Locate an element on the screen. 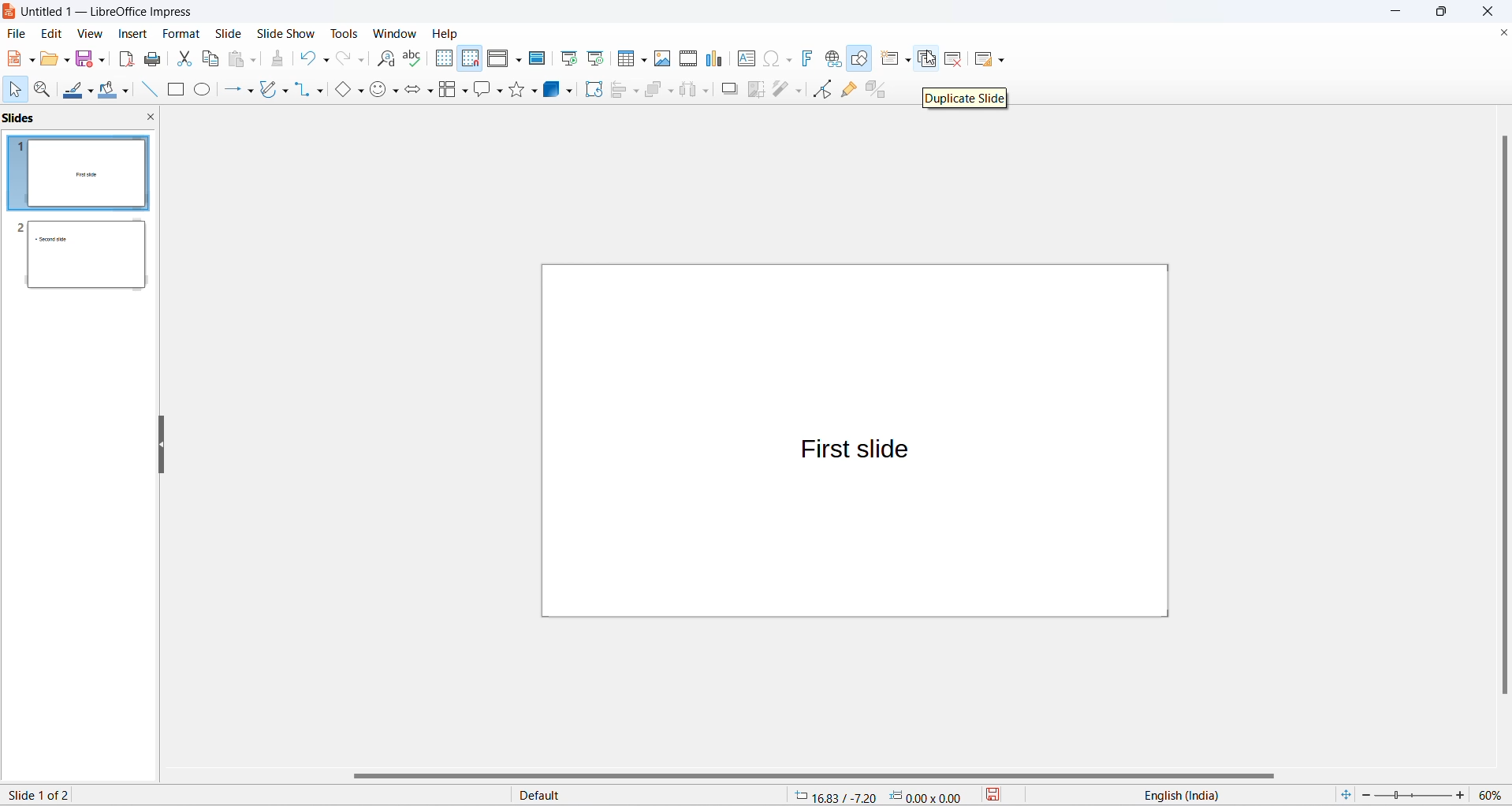 The width and height of the screenshot is (1512, 806). fill color is located at coordinates (108, 88).